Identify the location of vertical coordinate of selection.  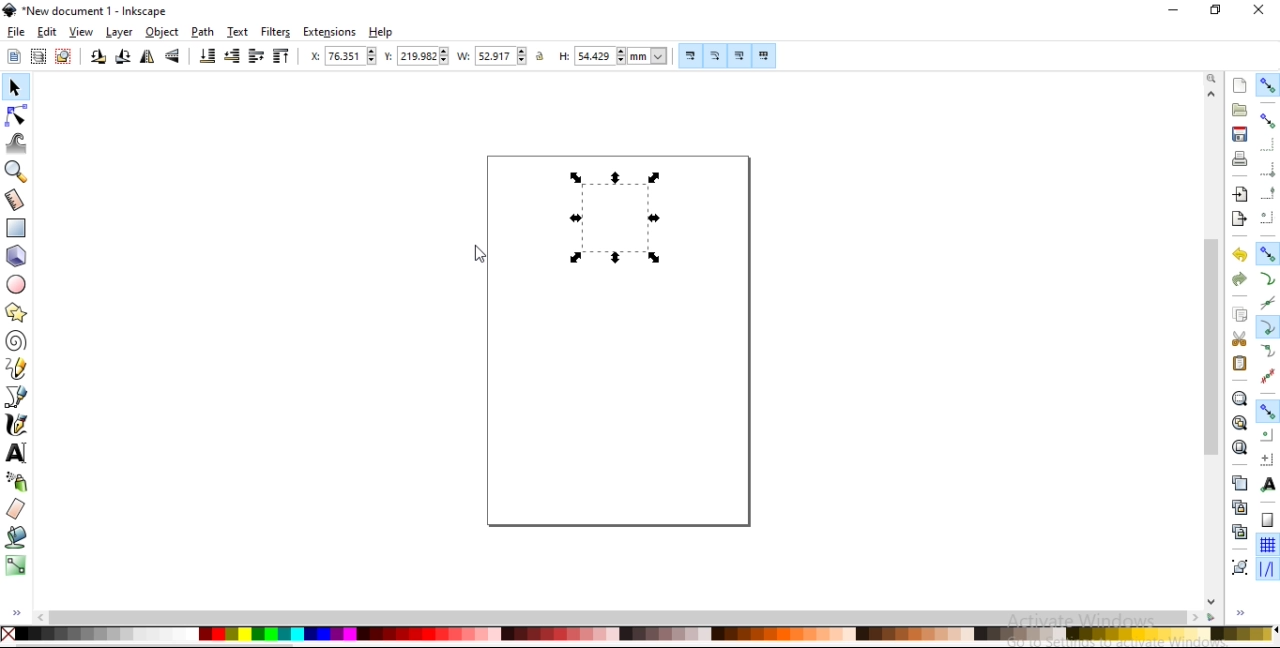
(414, 58).